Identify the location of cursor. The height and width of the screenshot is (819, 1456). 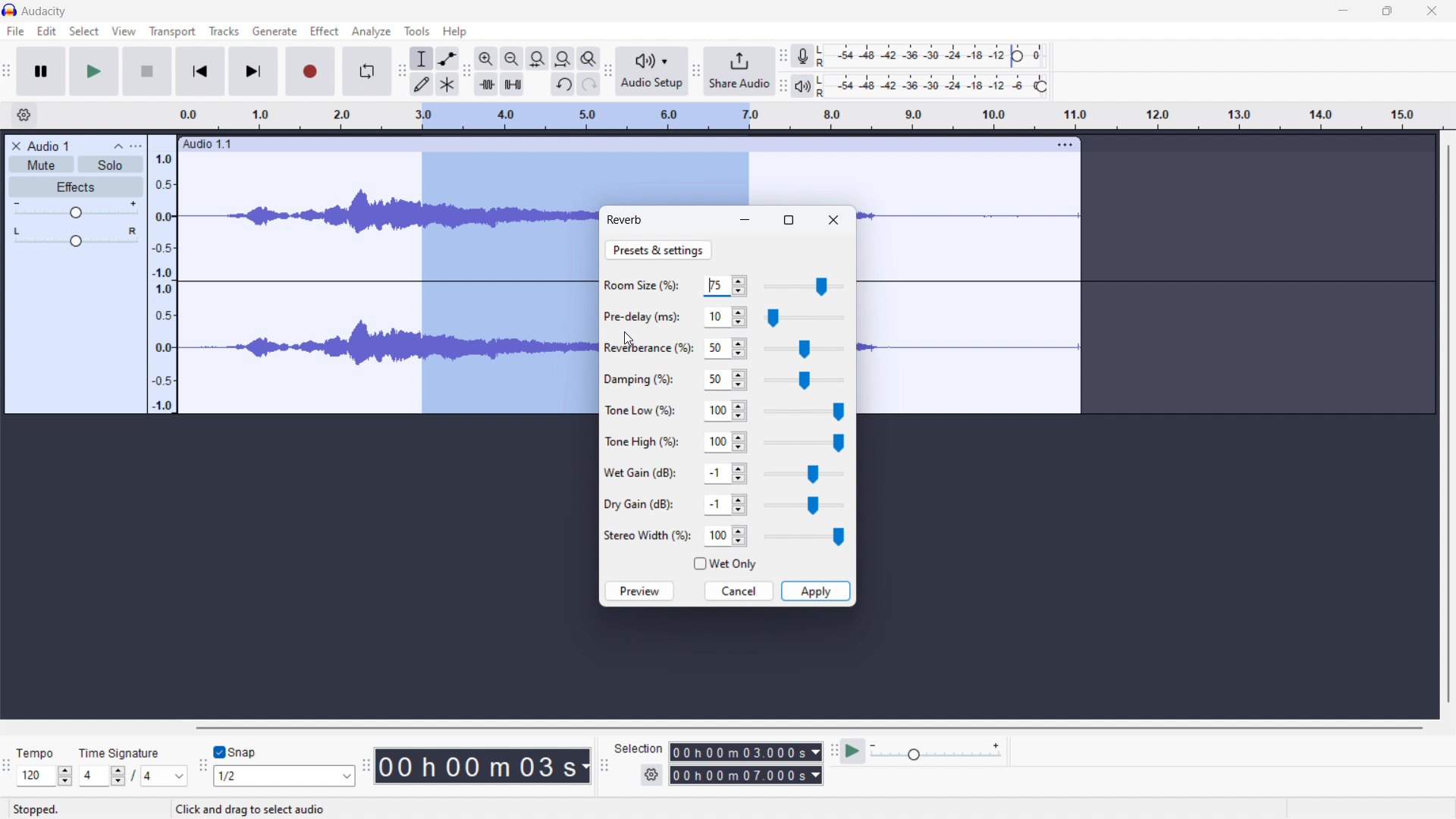
(627, 337).